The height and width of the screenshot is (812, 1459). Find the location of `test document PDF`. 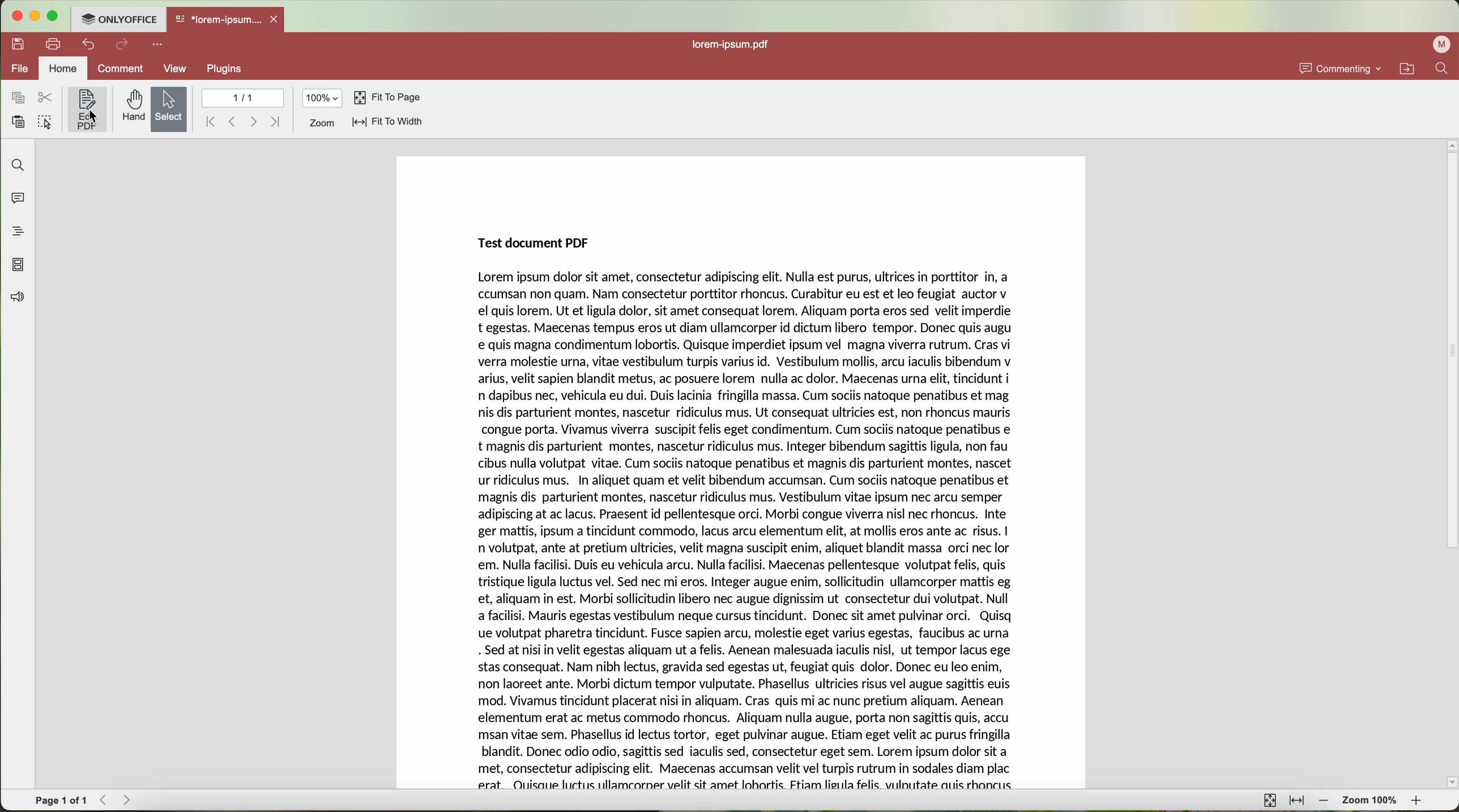

test document PDF is located at coordinates (541, 241).